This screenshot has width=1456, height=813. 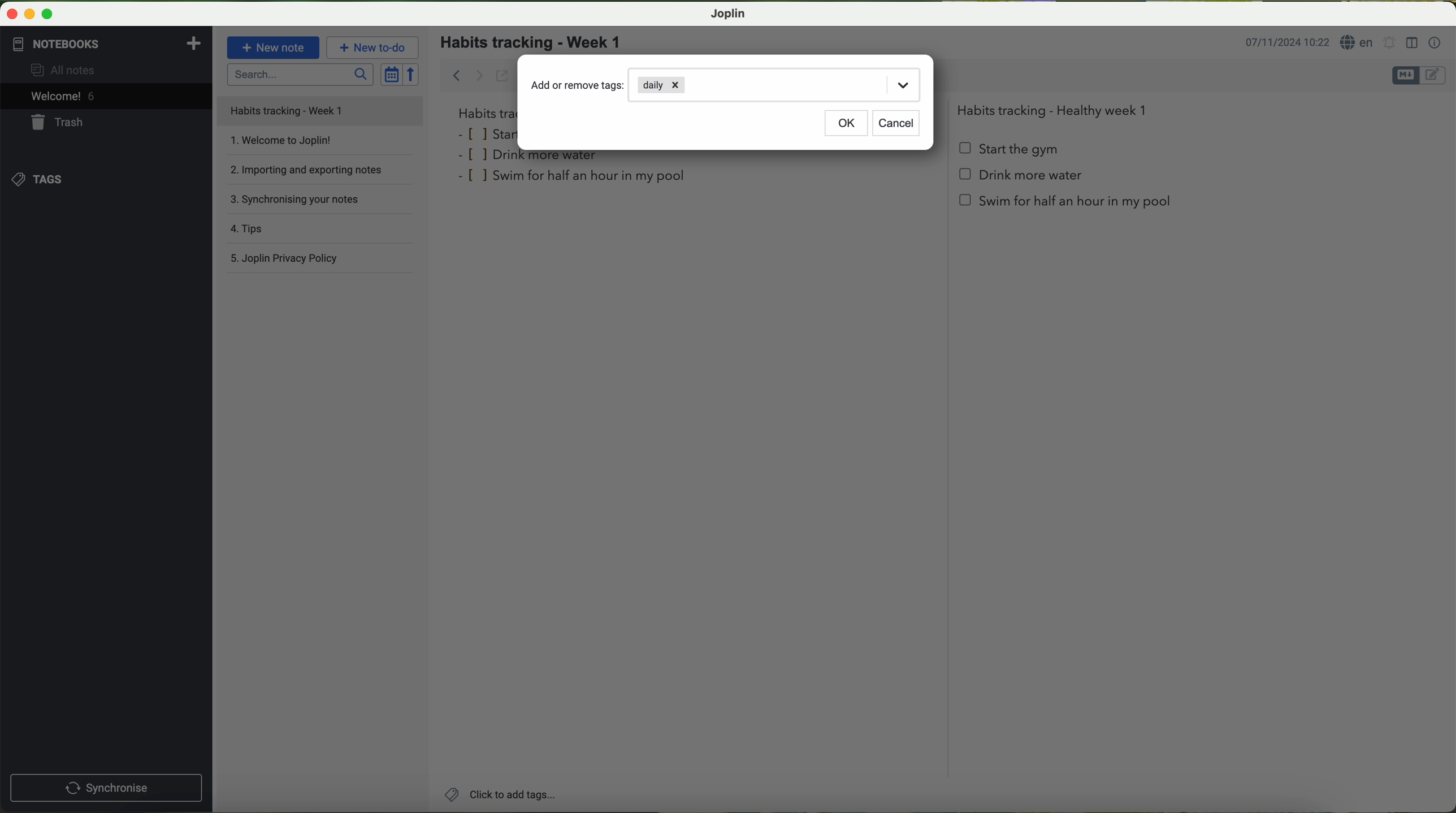 What do you see at coordinates (372, 47) in the screenshot?
I see `new to-do button` at bounding box center [372, 47].